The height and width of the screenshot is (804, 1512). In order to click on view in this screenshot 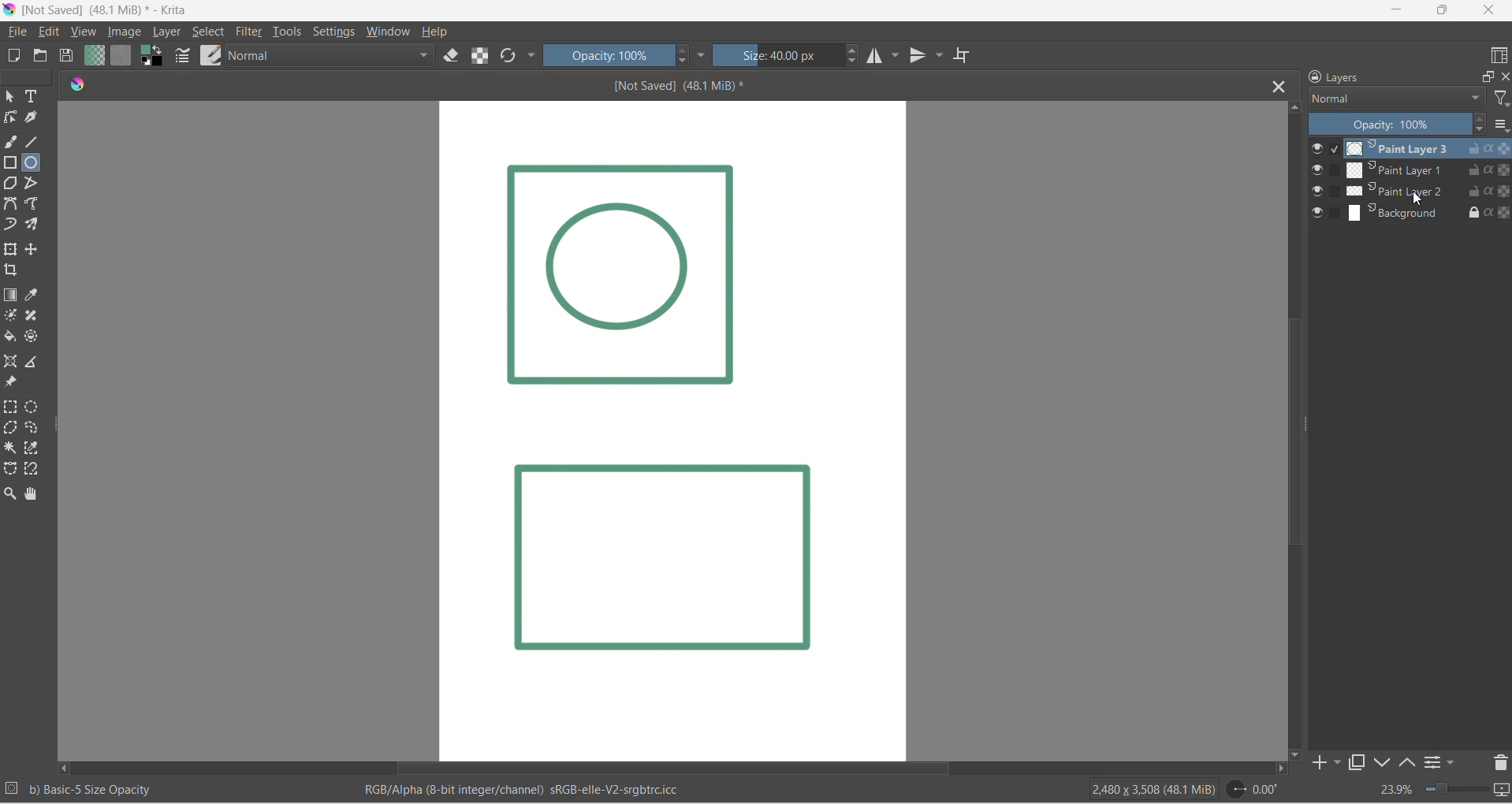, I will do `click(83, 33)`.